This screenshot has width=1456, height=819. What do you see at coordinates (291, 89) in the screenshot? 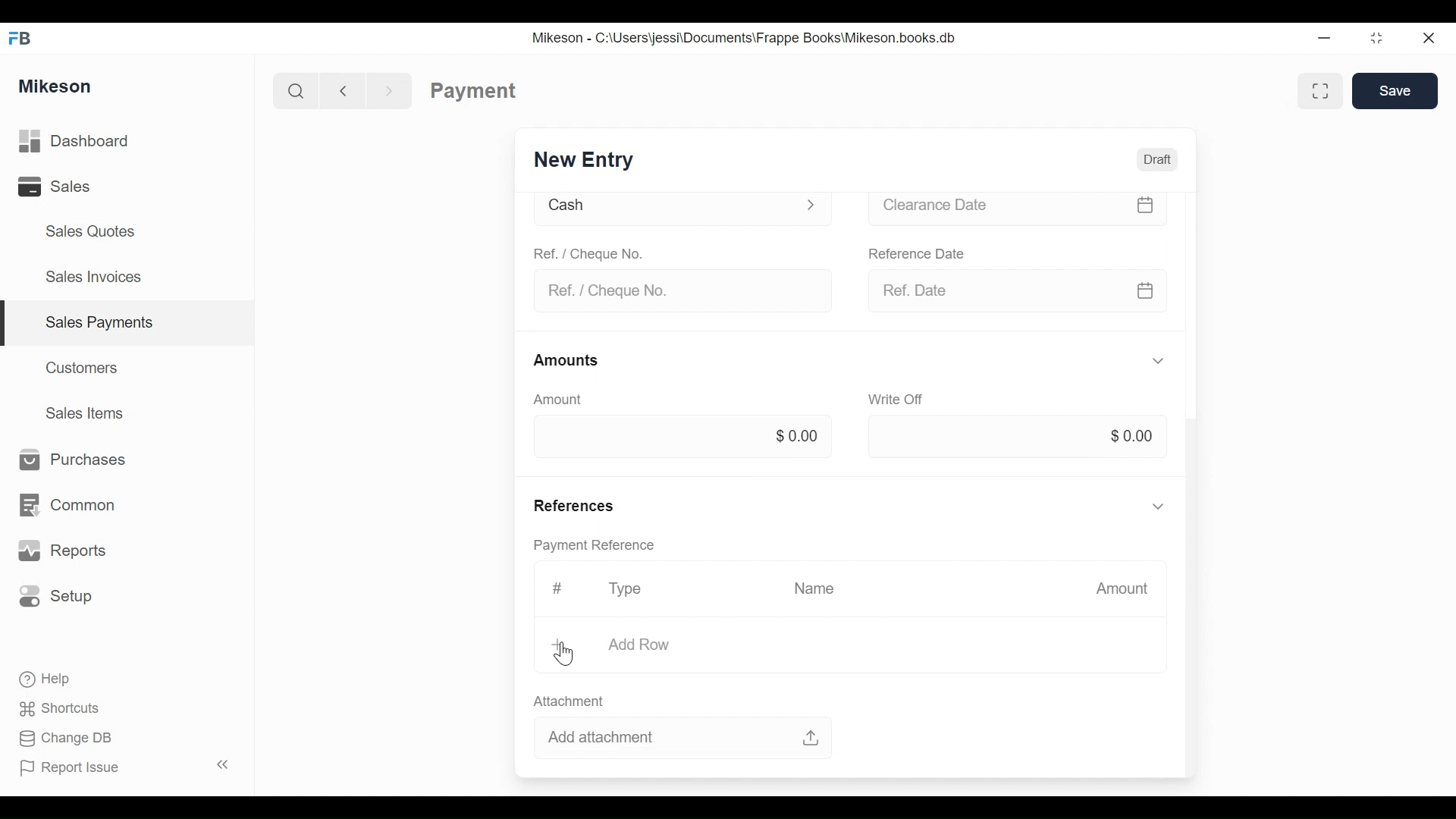
I see `Search` at bounding box center [291, 89].